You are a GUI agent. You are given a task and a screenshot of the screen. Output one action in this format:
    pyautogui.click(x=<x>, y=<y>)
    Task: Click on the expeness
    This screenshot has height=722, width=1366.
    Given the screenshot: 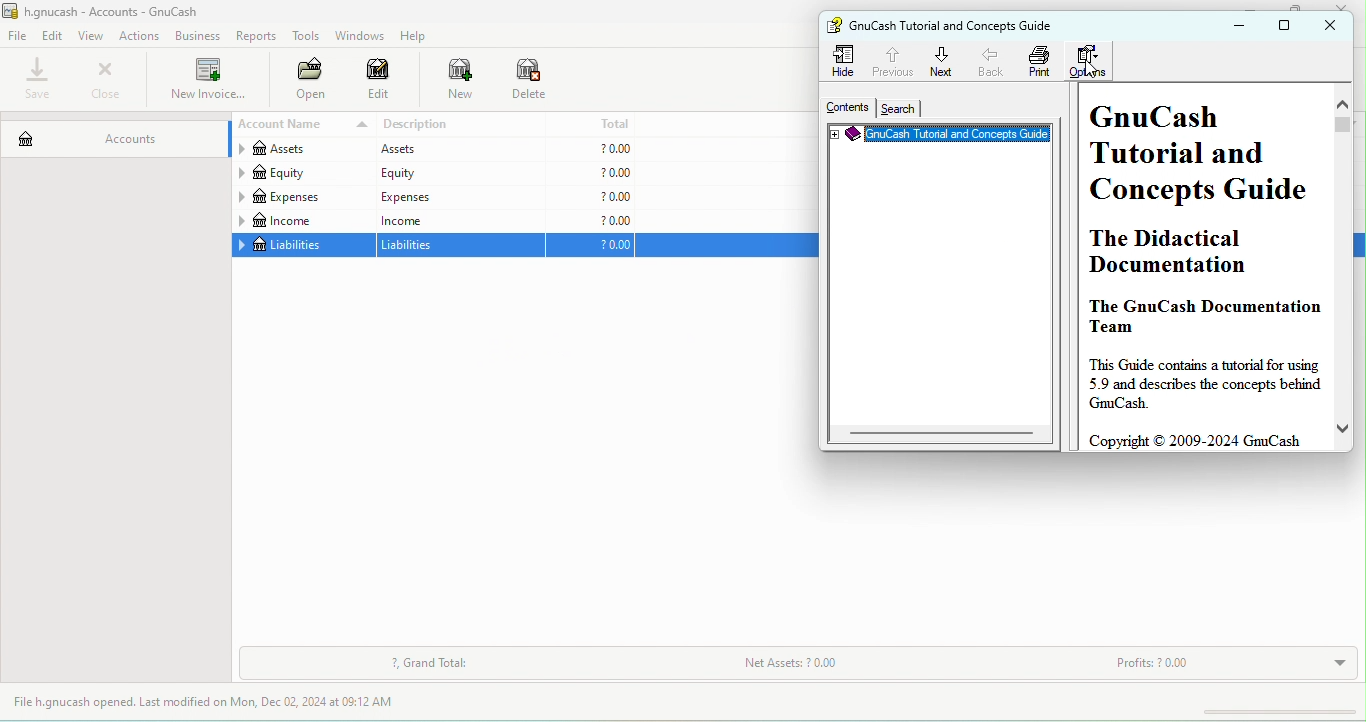 What is the action you would take?
    pyautogui.click(x=457, y=196)
    